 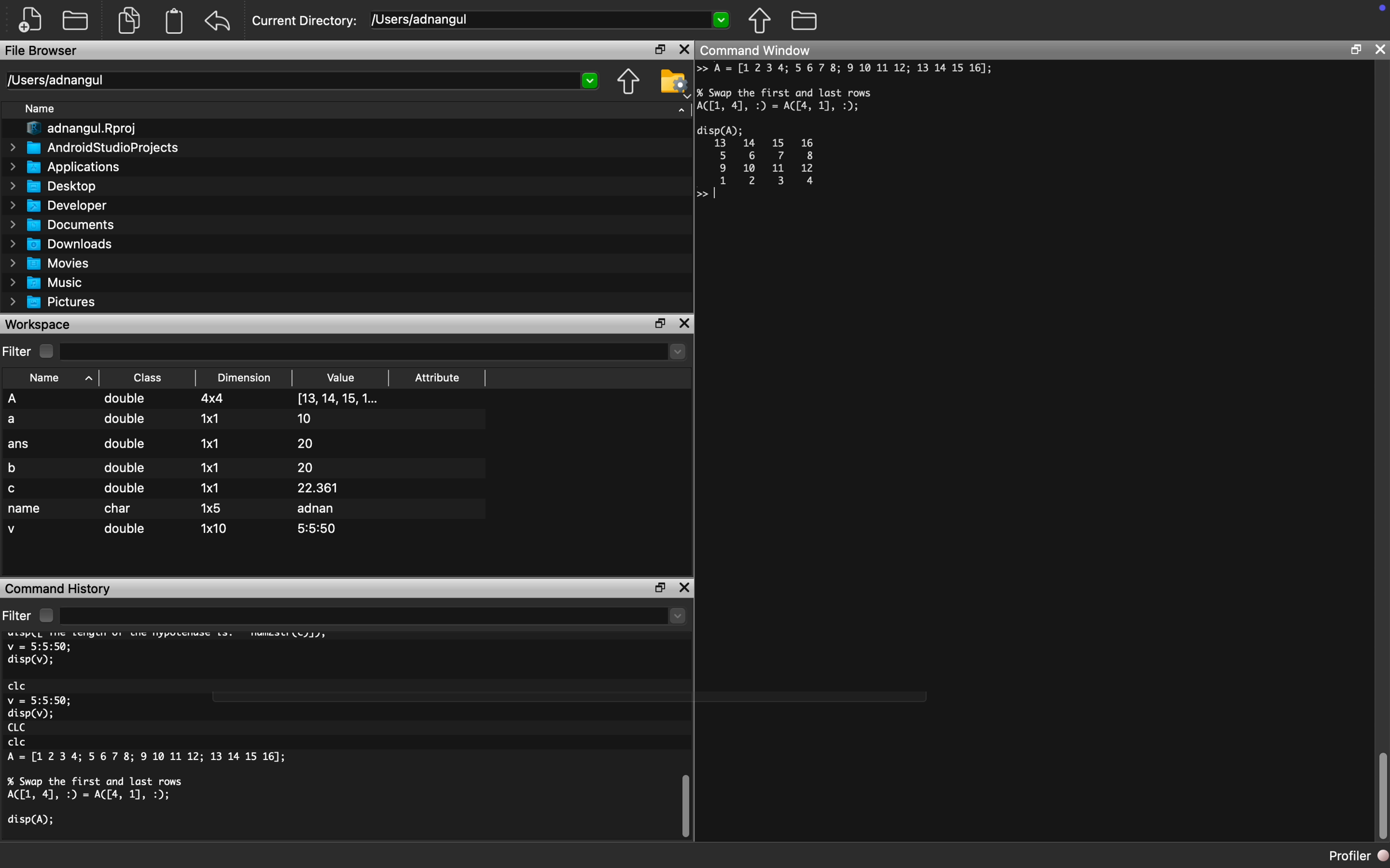 What do you see at coordinates (56, 186) in the screenshot?
I see `> [BB Desktop` at bounding box center [56, 186].